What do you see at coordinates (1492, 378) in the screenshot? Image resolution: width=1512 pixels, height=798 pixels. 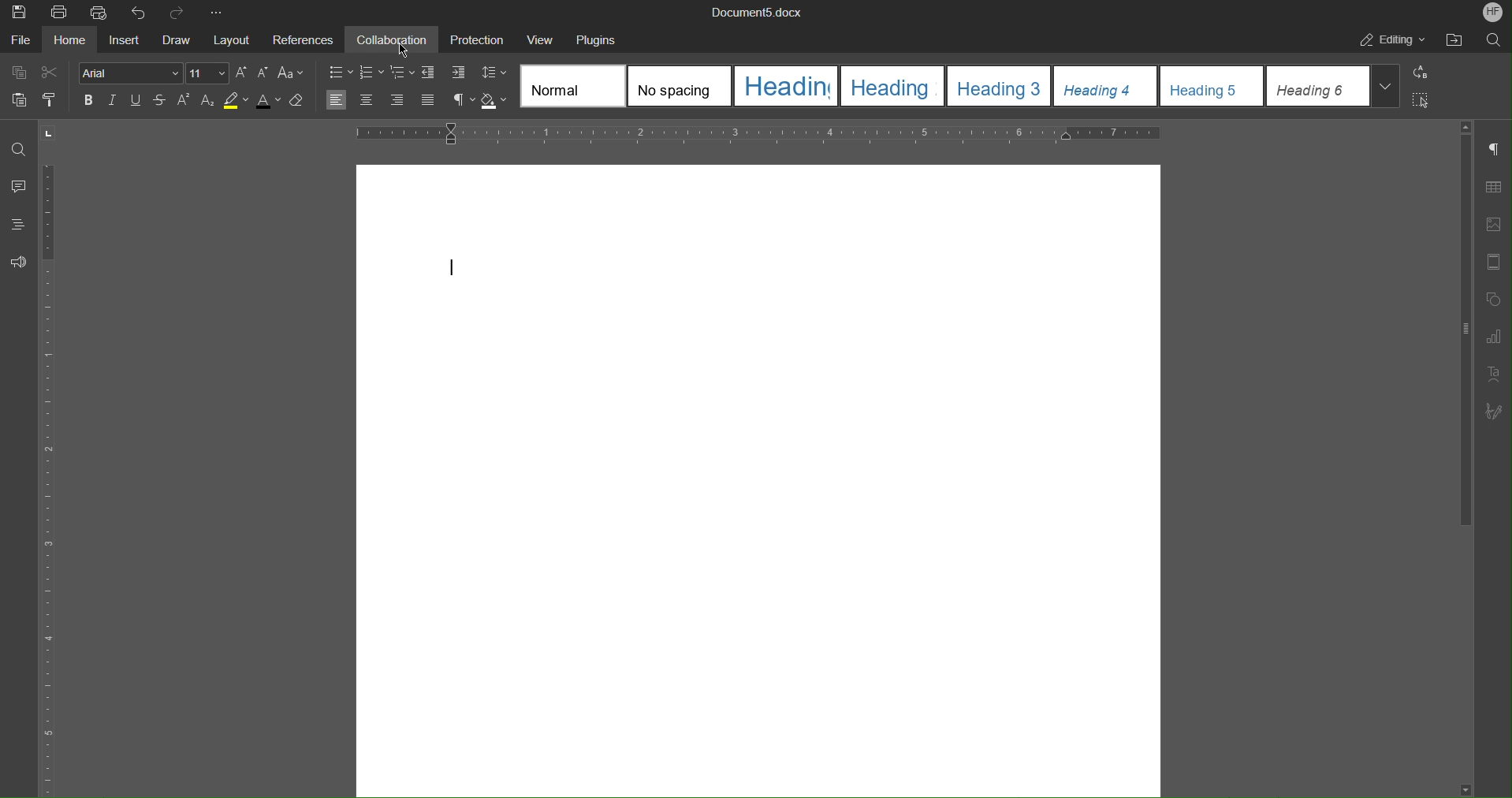 I see `Text Art` at bounding box center [1492, 378].